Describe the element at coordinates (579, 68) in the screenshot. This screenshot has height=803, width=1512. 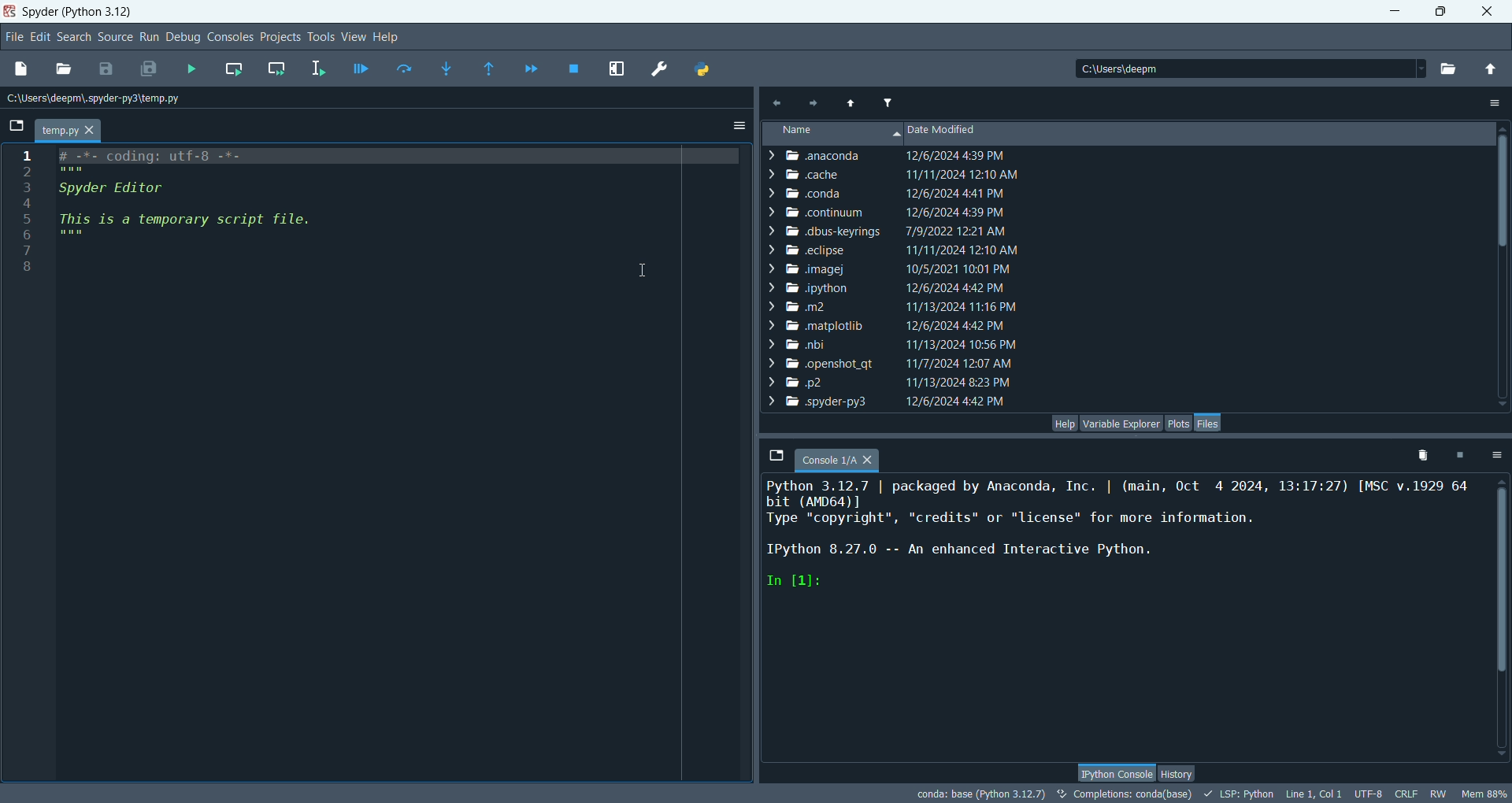
I see `stop debugging` at that location.